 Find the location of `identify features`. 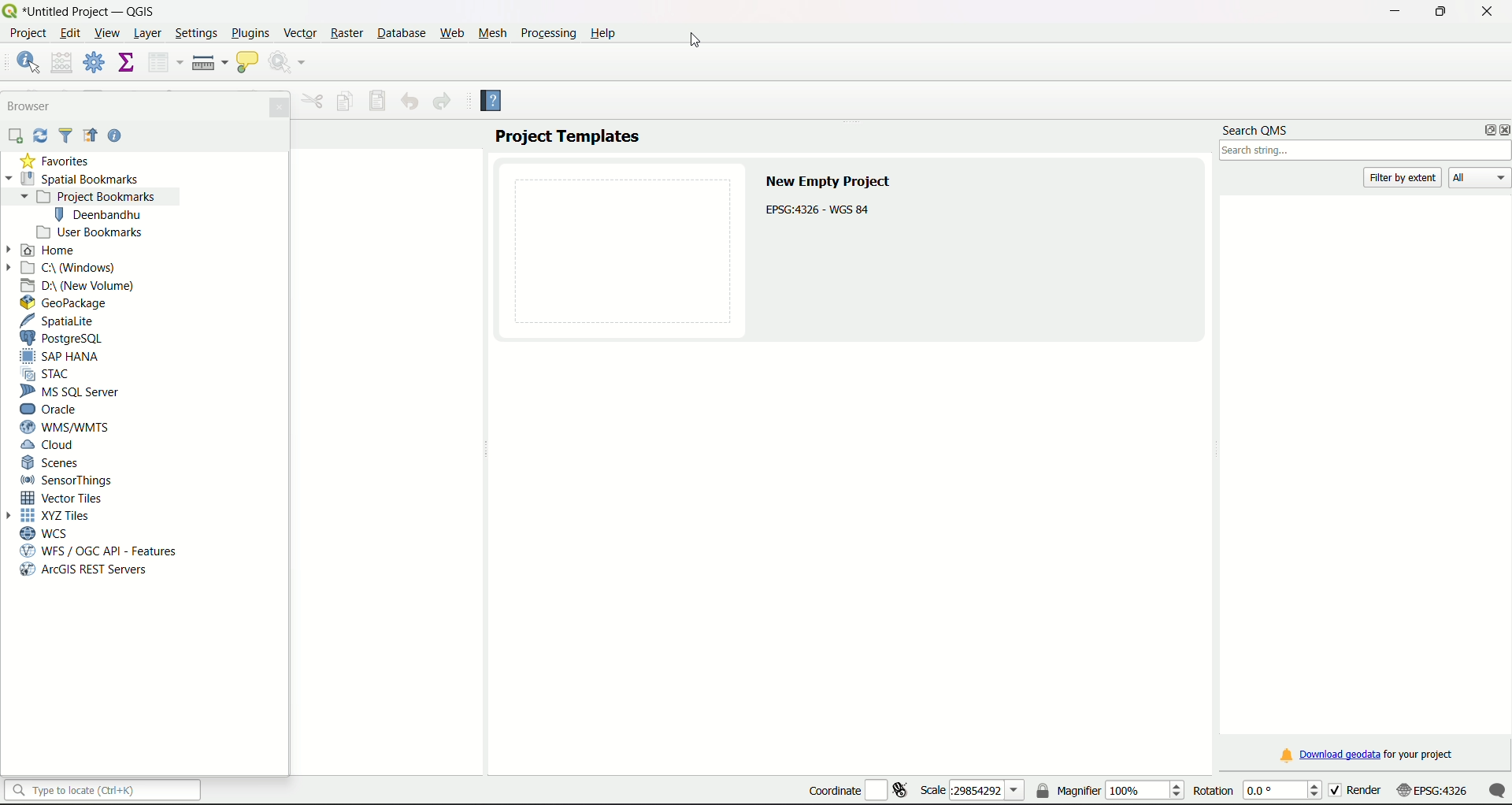

identify features is located at coordinates (27, 61).